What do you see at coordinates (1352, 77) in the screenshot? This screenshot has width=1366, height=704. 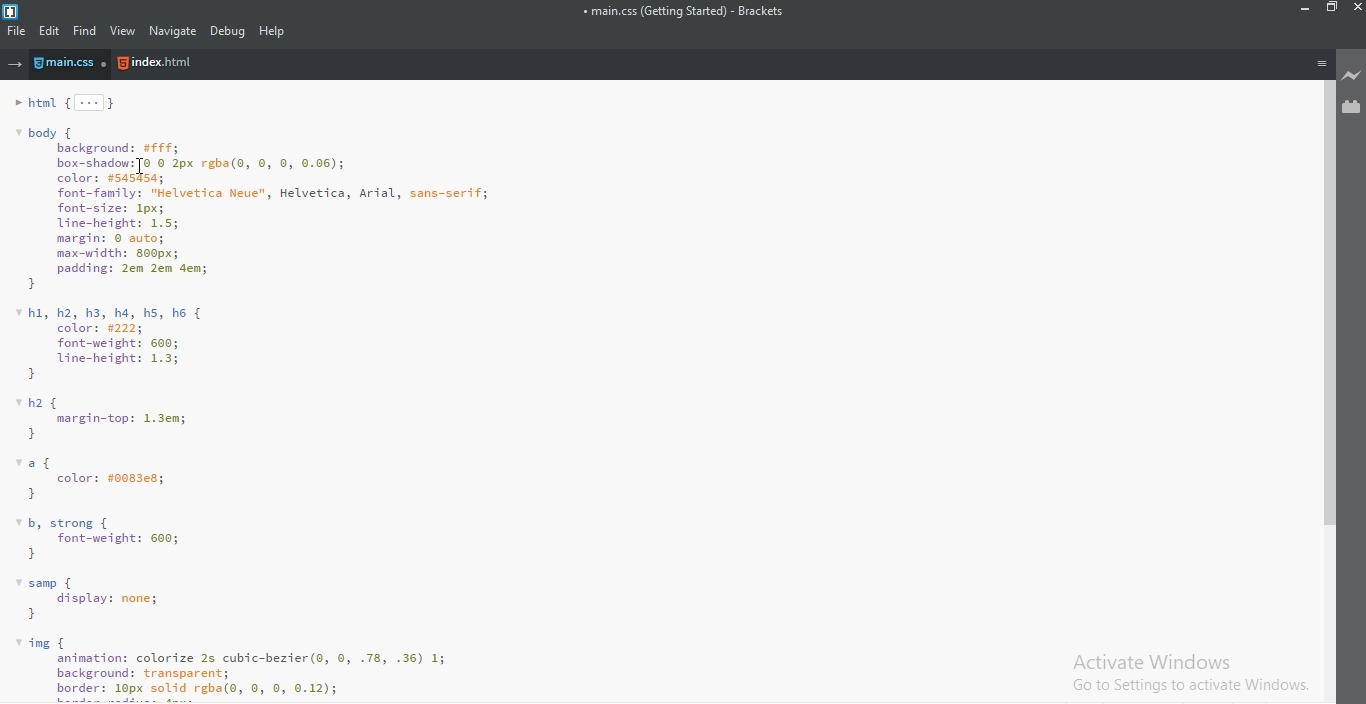 I see `live preview` at bounding box center [1352, 77].